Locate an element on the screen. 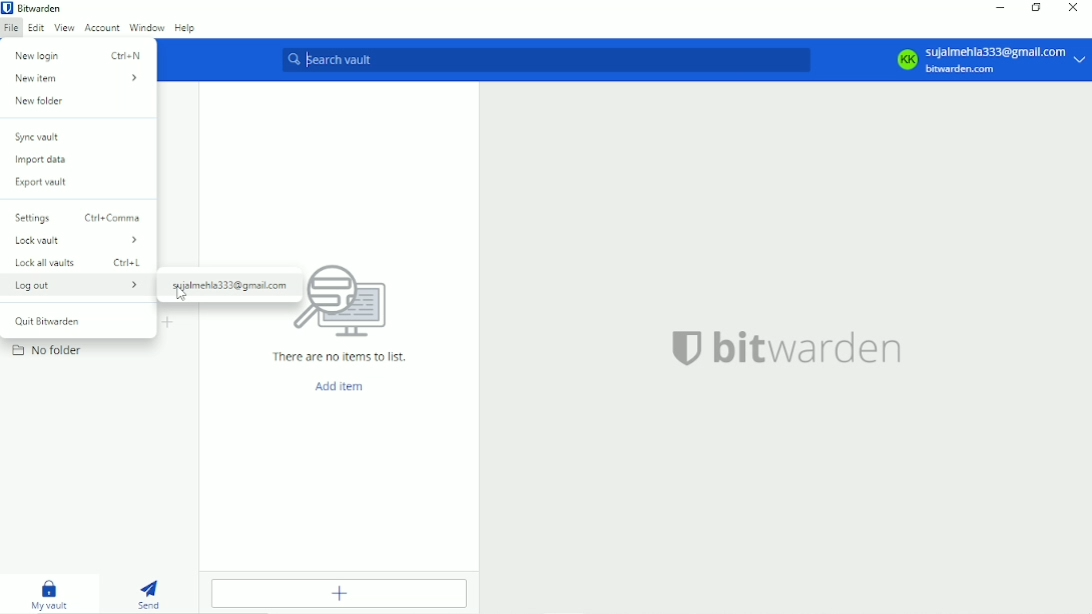 This screenshot has width=1092, height=614. Quit Bitwarden is located at coordinates (52, 321).